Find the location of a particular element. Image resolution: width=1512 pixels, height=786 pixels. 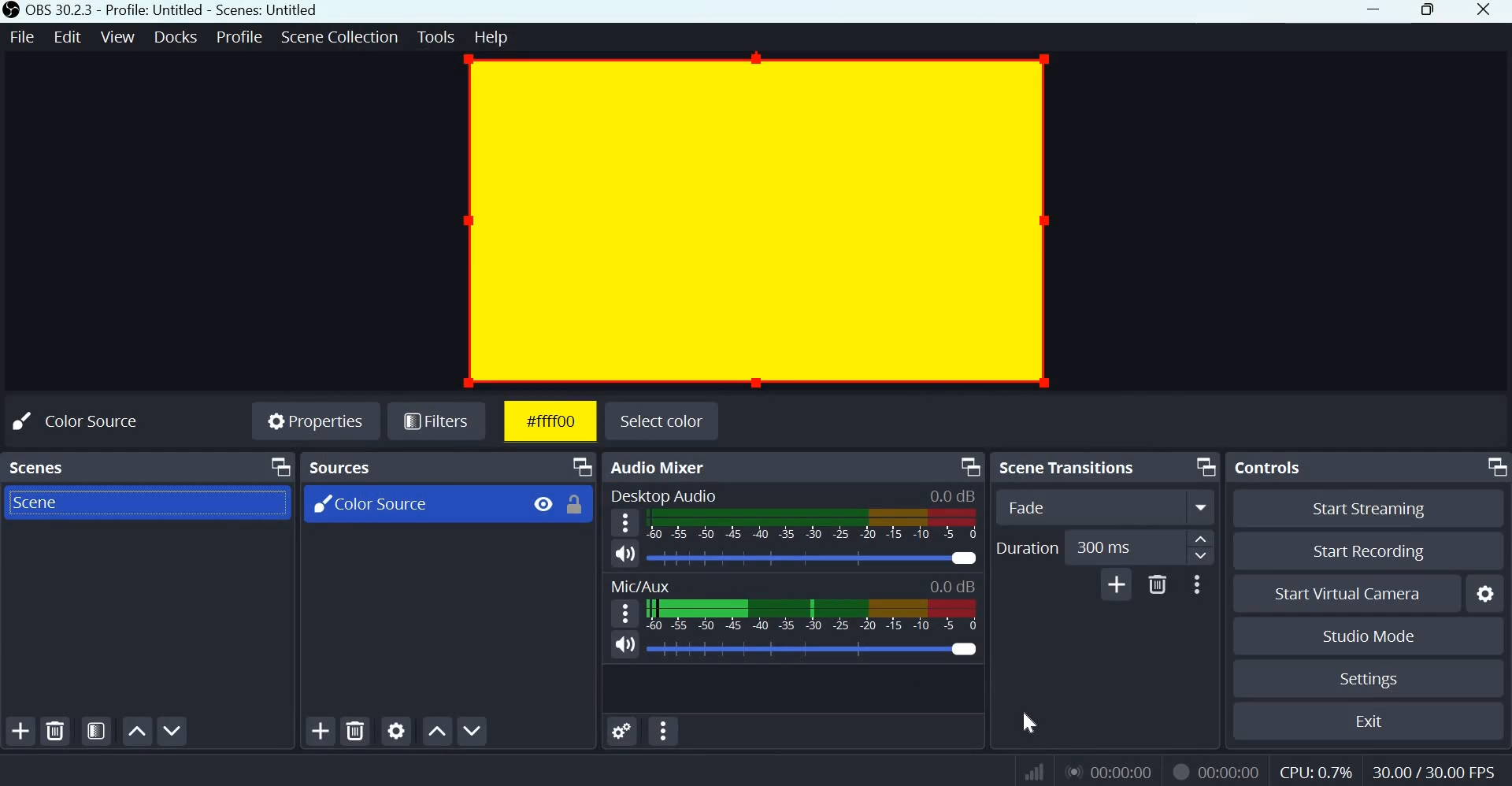

Add Source(s) is located at coordinates (321, 731).